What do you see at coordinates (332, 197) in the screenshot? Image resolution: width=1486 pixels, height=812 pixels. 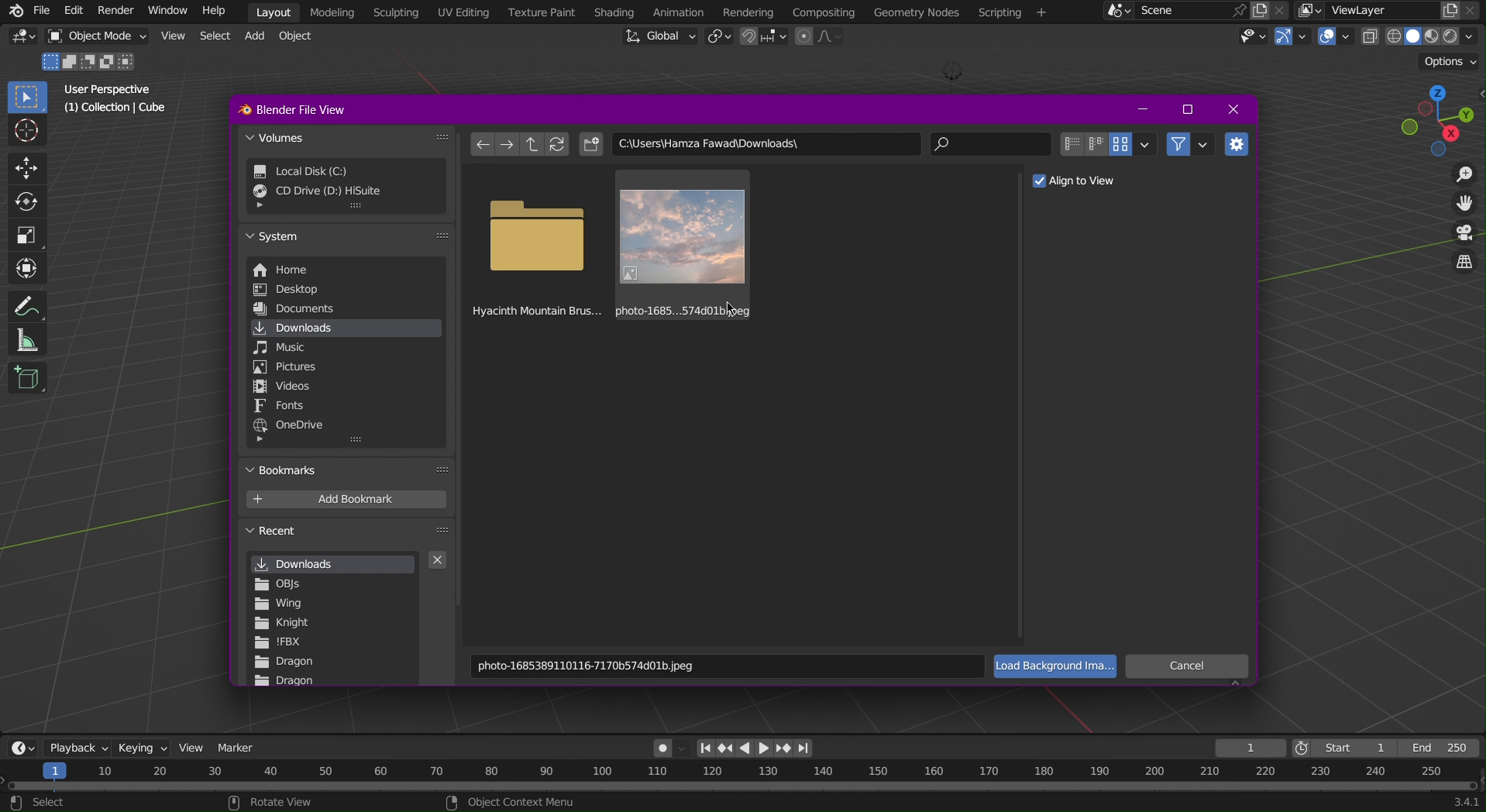 I see `CD Drive (D:) HiSuite` at bounding box center [332, 197].